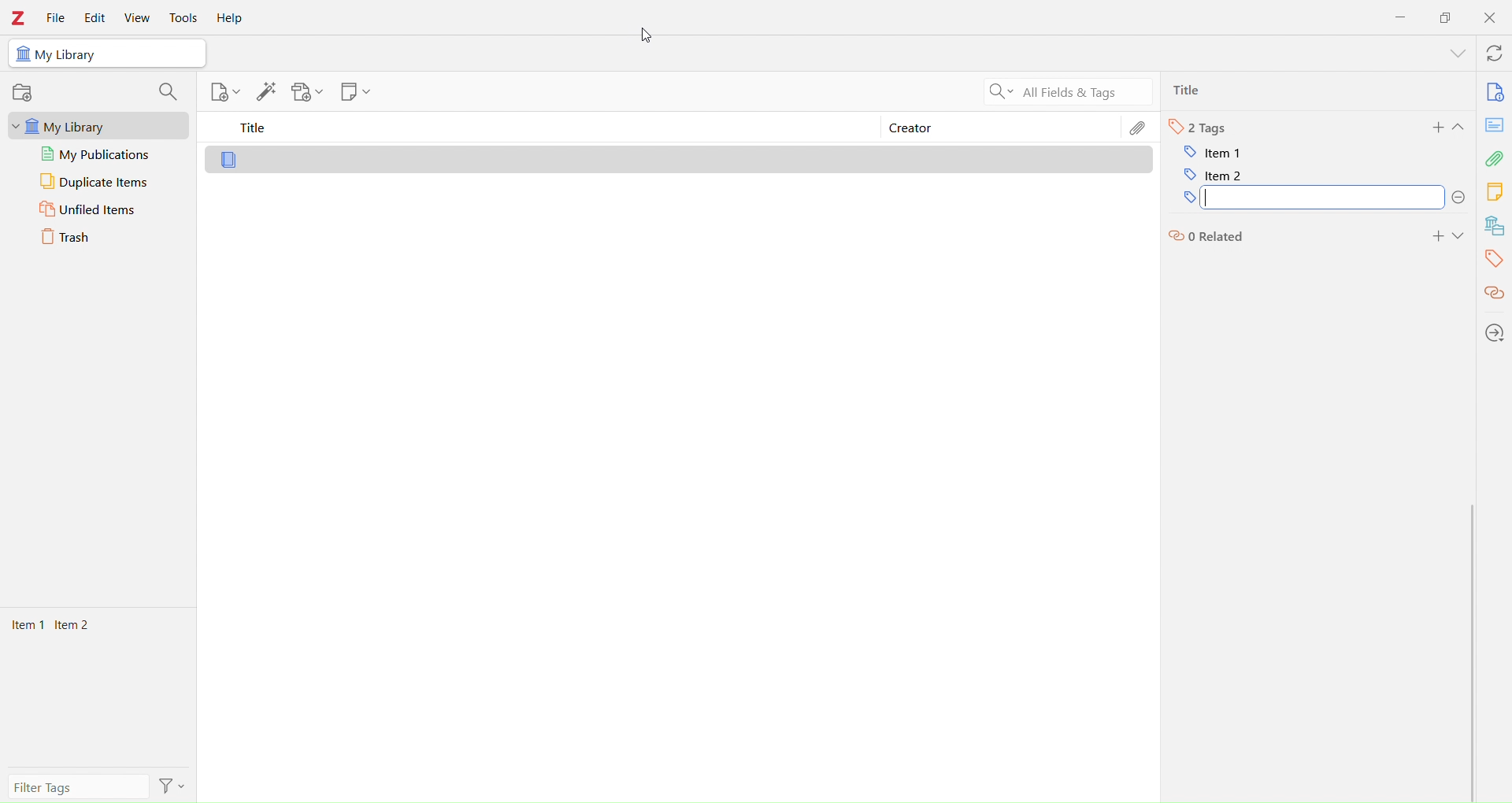  Describe the element at coordinates (93, 784) in the screenshot. I see `filter tags` at that location.